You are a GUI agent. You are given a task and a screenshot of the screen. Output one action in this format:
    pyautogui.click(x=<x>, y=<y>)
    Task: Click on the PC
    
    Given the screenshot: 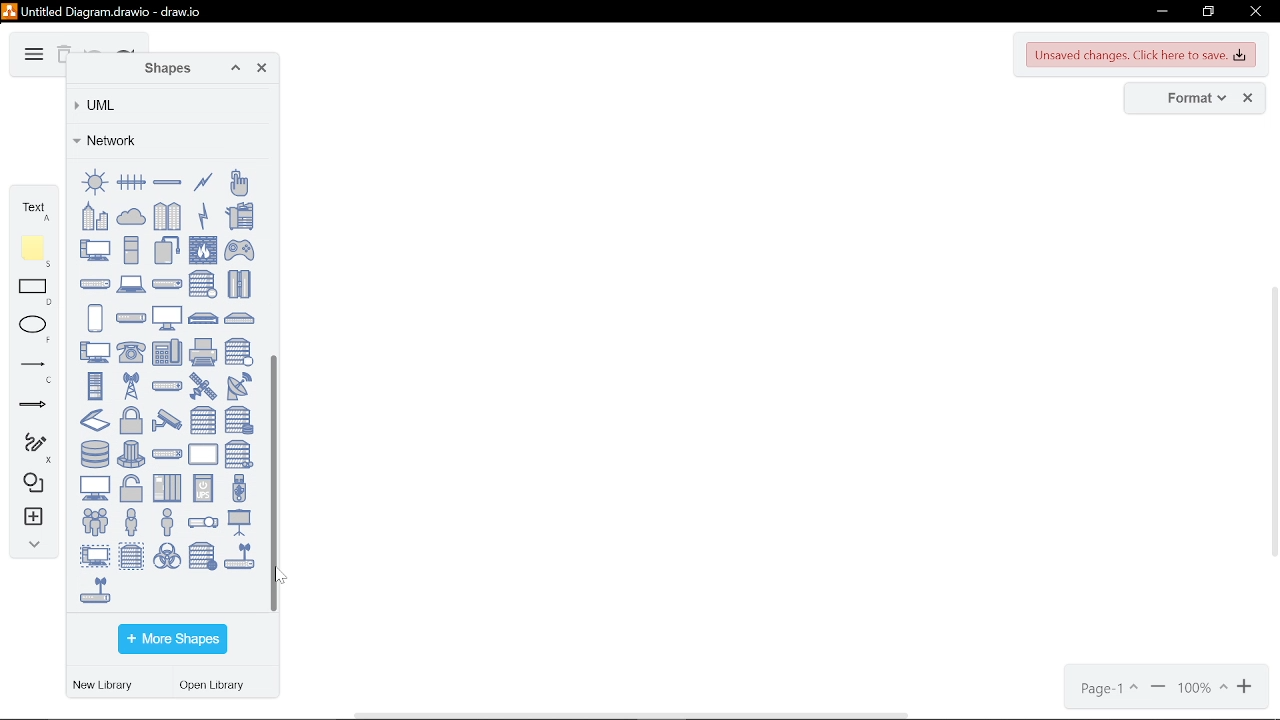 What is the action you would take?
    pyautogui.click(x=95, y=249)
    